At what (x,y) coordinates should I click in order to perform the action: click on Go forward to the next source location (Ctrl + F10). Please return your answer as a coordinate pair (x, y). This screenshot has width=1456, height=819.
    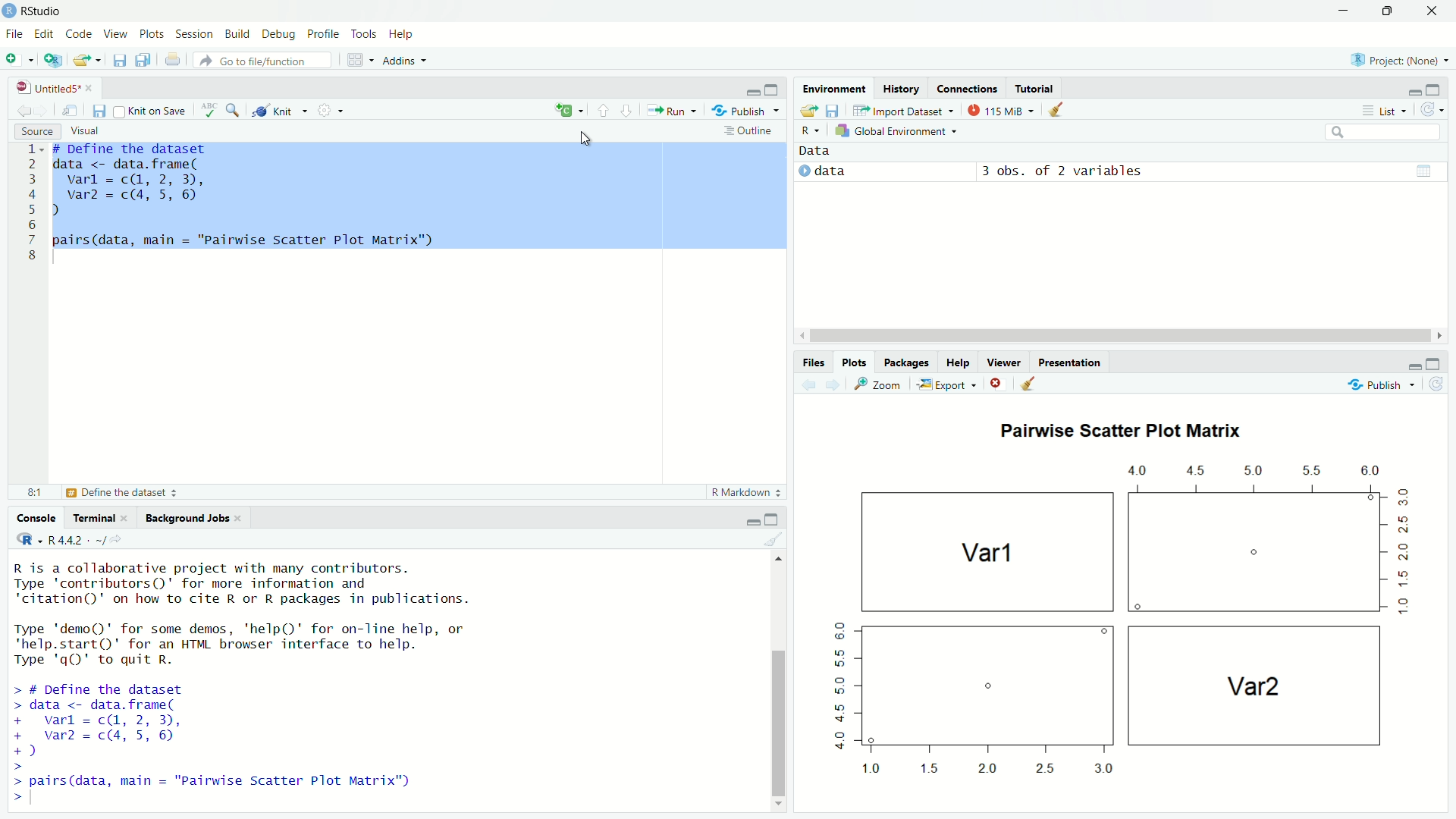
    Looking at the image, I should click on (45, 109).